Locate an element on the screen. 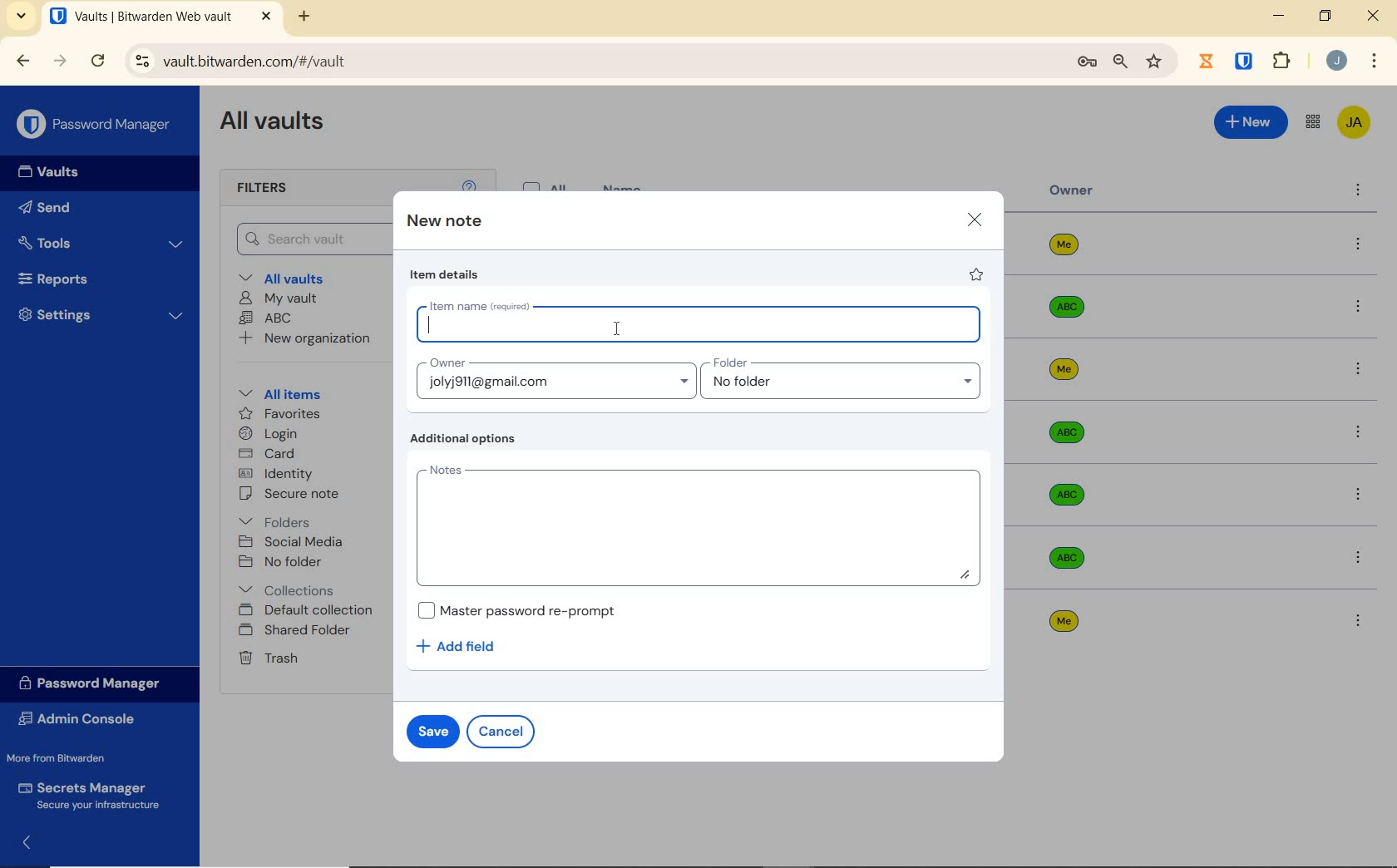  Password Manager is located at coordinates (96, 123).